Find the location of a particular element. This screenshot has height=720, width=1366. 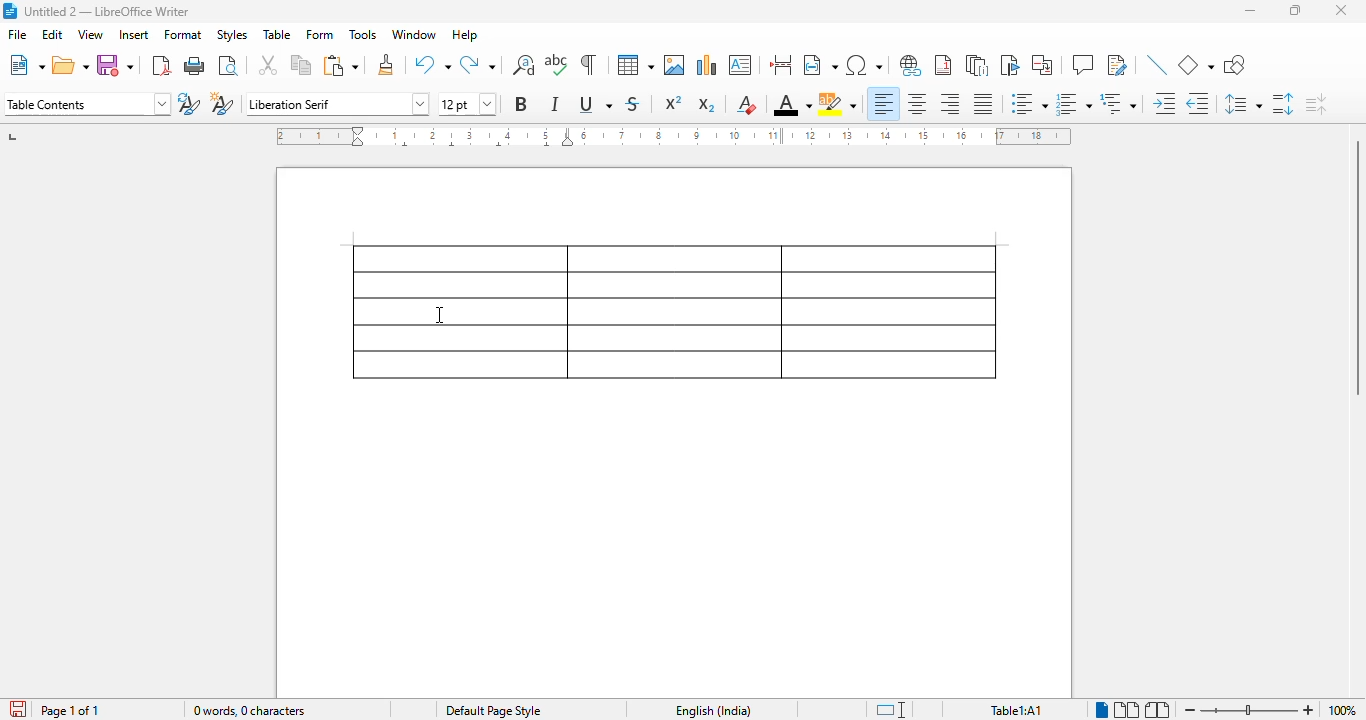

cut is located at coordinates (269, 65).